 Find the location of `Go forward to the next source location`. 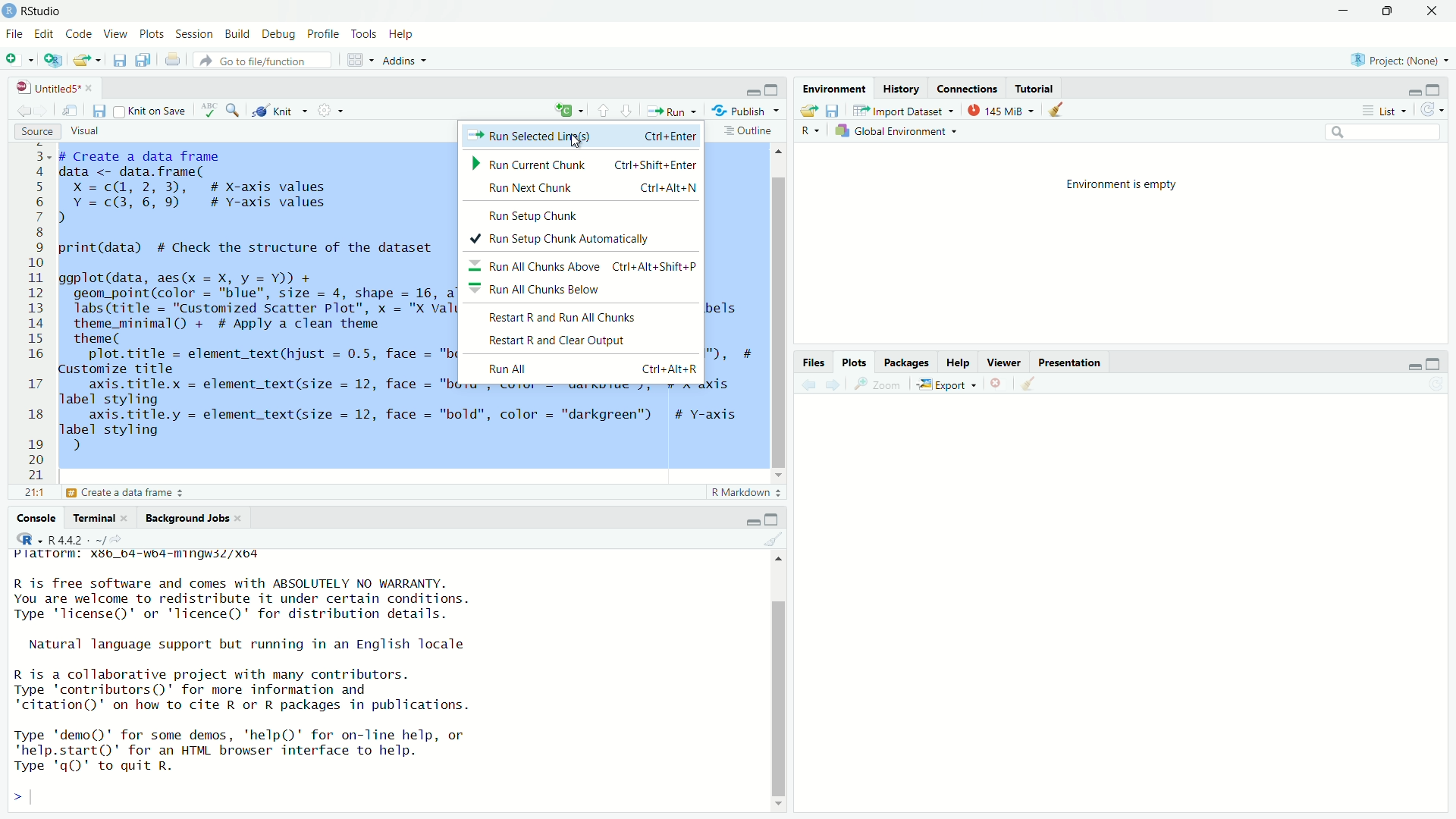

Go forward to the next source location is located at coordinates (49, 112).